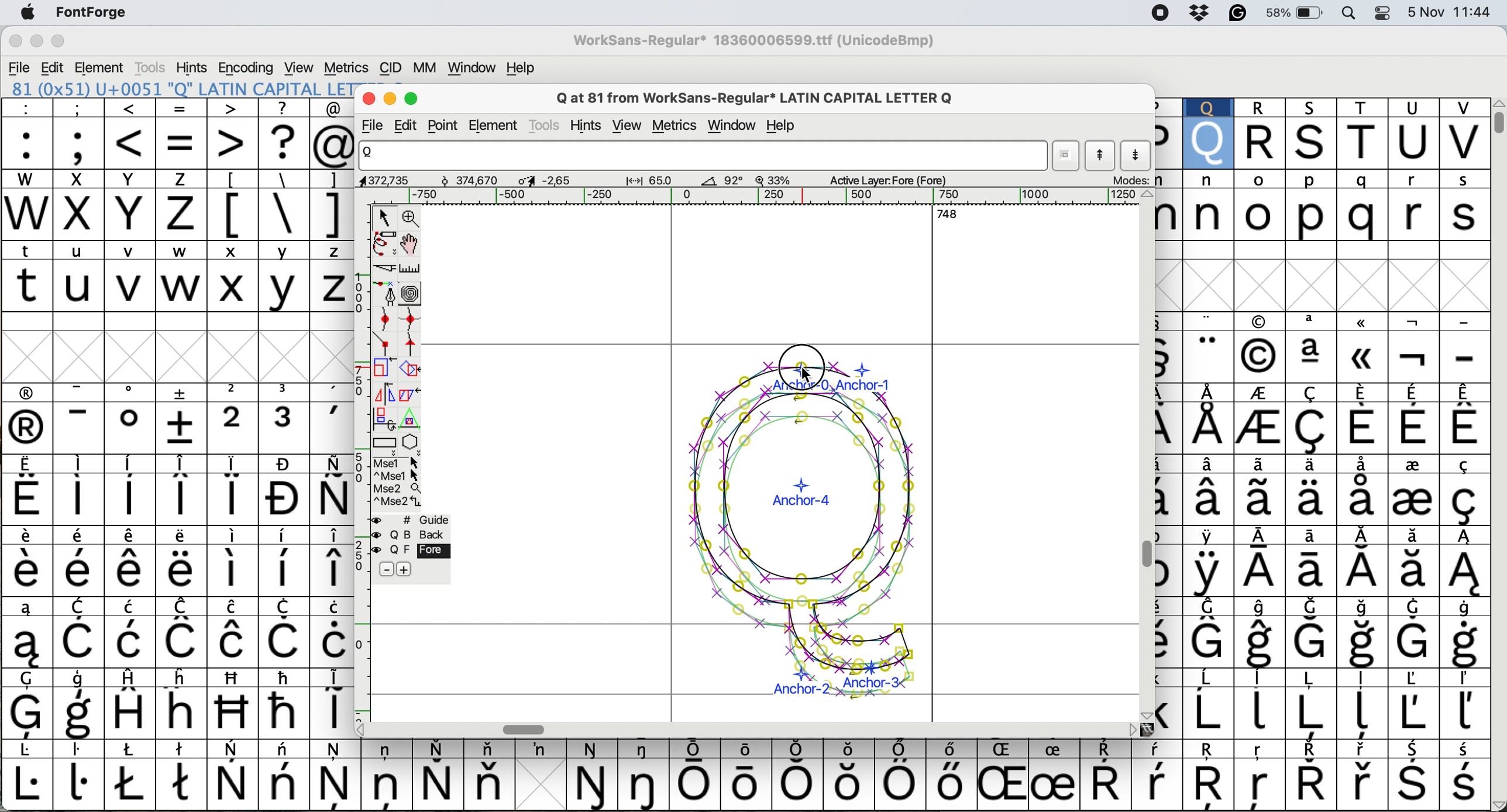  Describe the element at coordinates (412, 125) in the screenshot. I see `edit` at that location.